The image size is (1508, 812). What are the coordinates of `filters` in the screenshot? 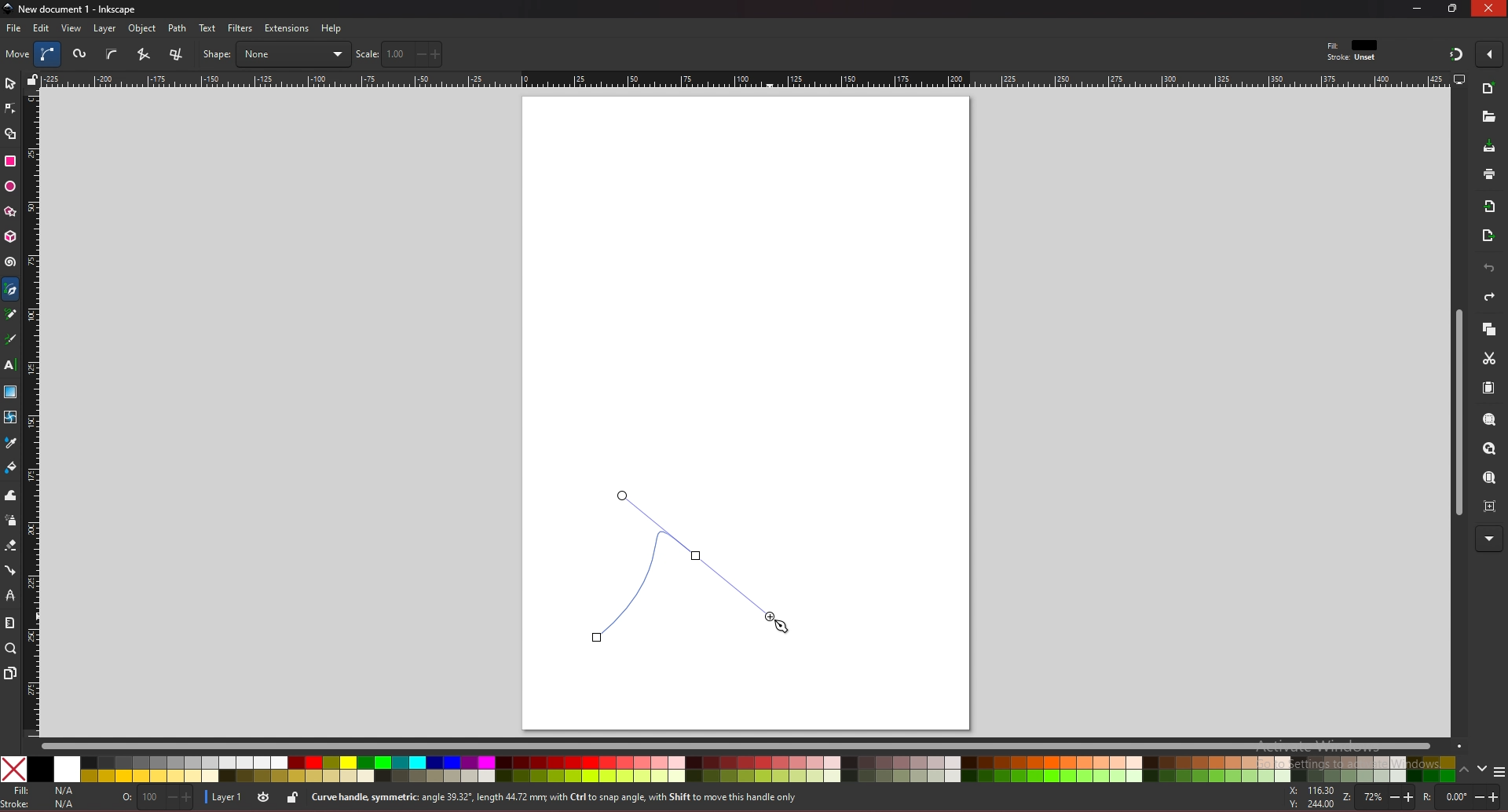 It's located at (241, 28).